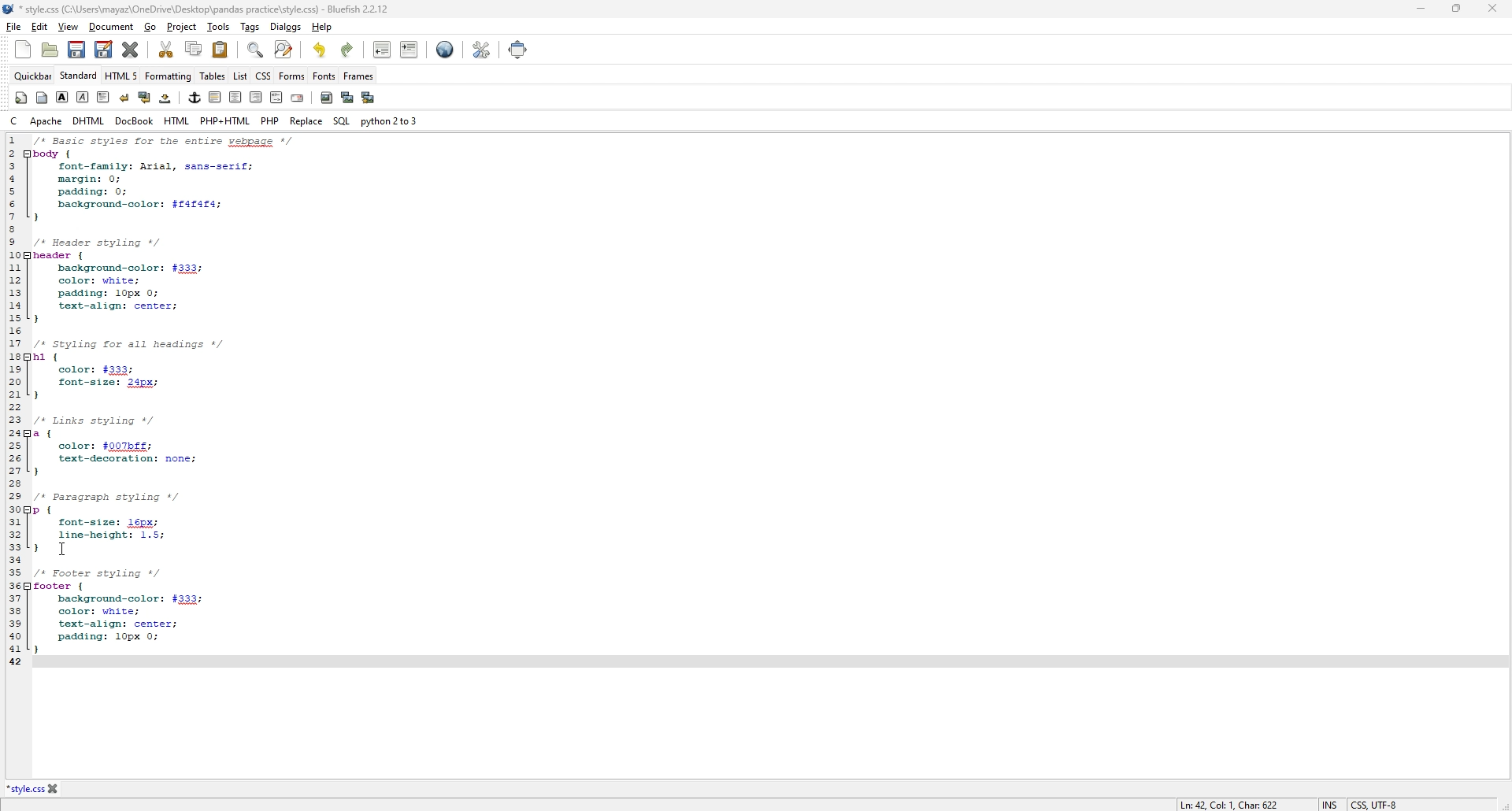  What do you see at coordinates (341, 120) in the screenshot?
I see `sql` at bounding box center [341, 120].